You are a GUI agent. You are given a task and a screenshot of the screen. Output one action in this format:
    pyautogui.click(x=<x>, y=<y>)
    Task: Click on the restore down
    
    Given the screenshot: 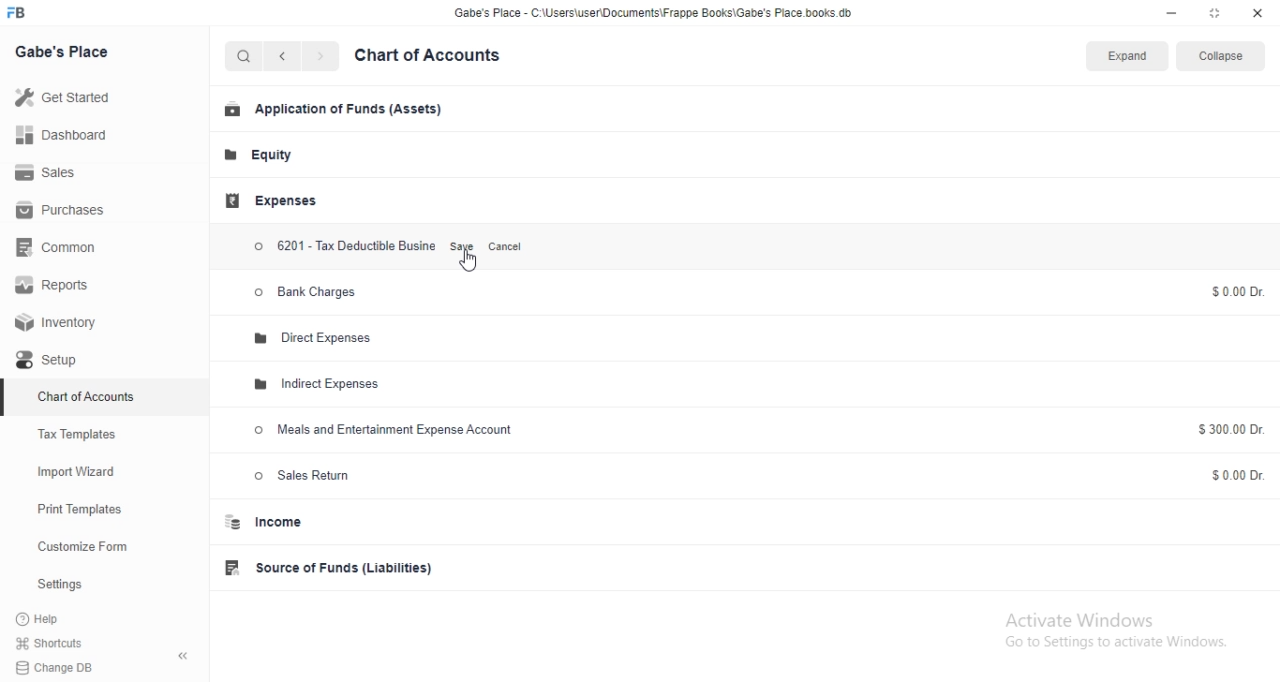 What is the action you would take?
    pyautogui.click(x=1216, y=15)
    